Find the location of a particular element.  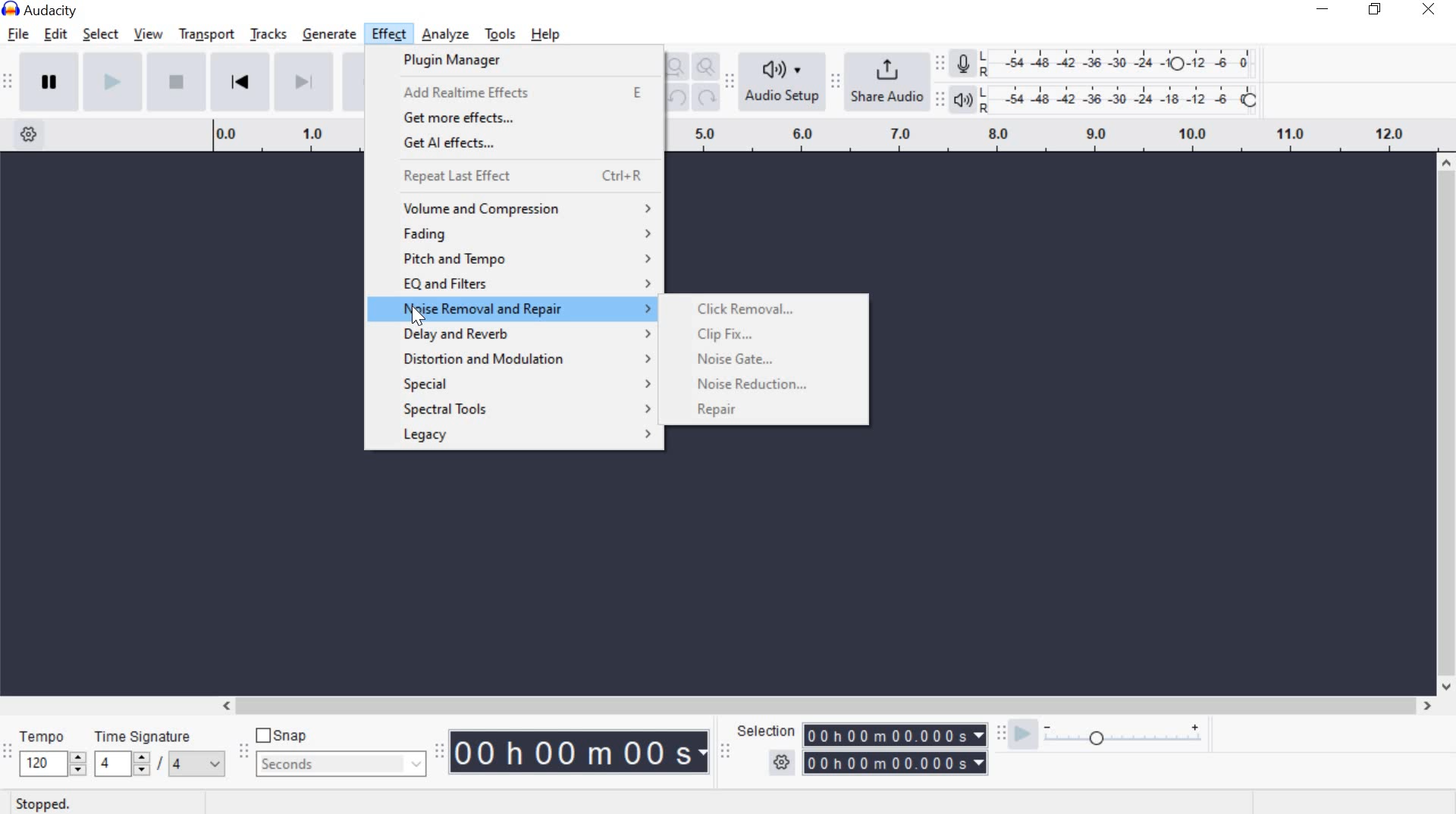

pitch and tempo is located at coordinates (532, 260).